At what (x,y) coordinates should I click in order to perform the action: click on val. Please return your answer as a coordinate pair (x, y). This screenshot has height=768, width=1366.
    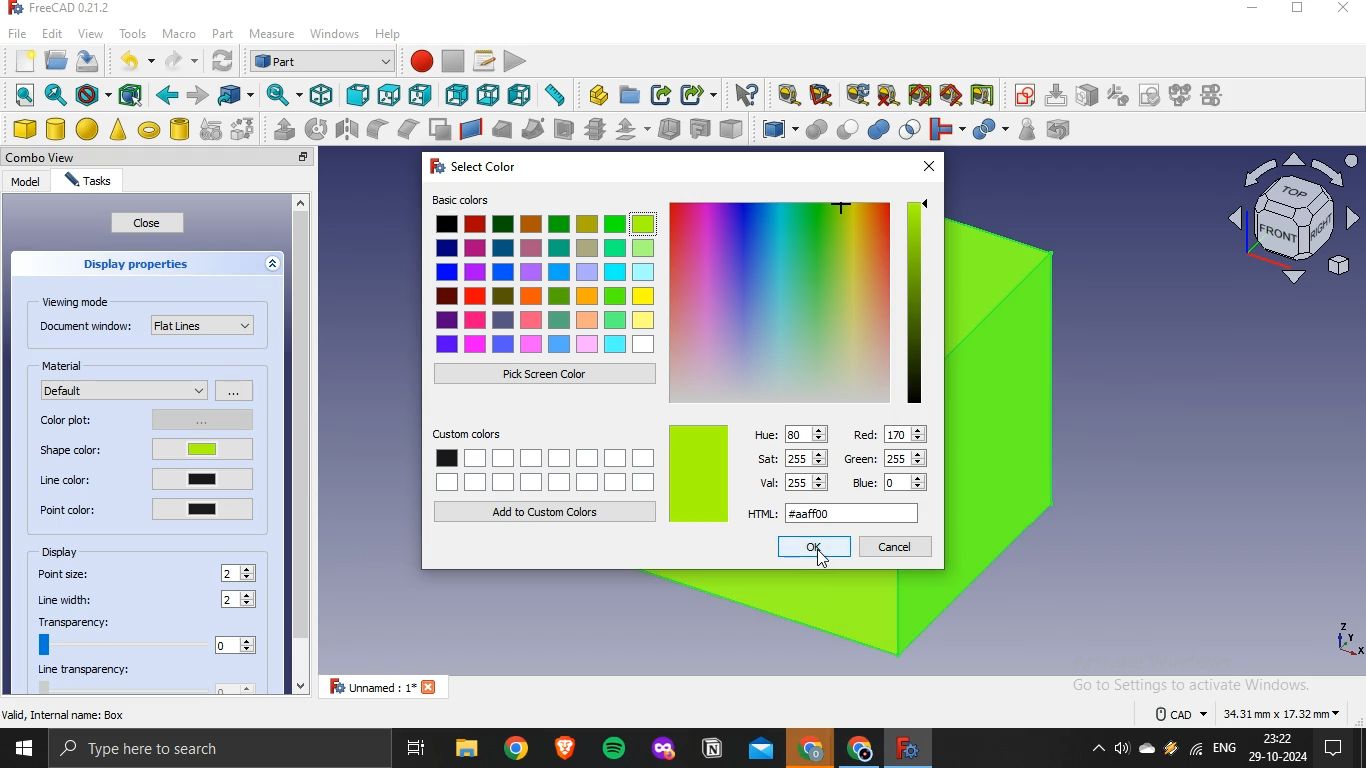
    Looking at the image, I should click on (792, 481).